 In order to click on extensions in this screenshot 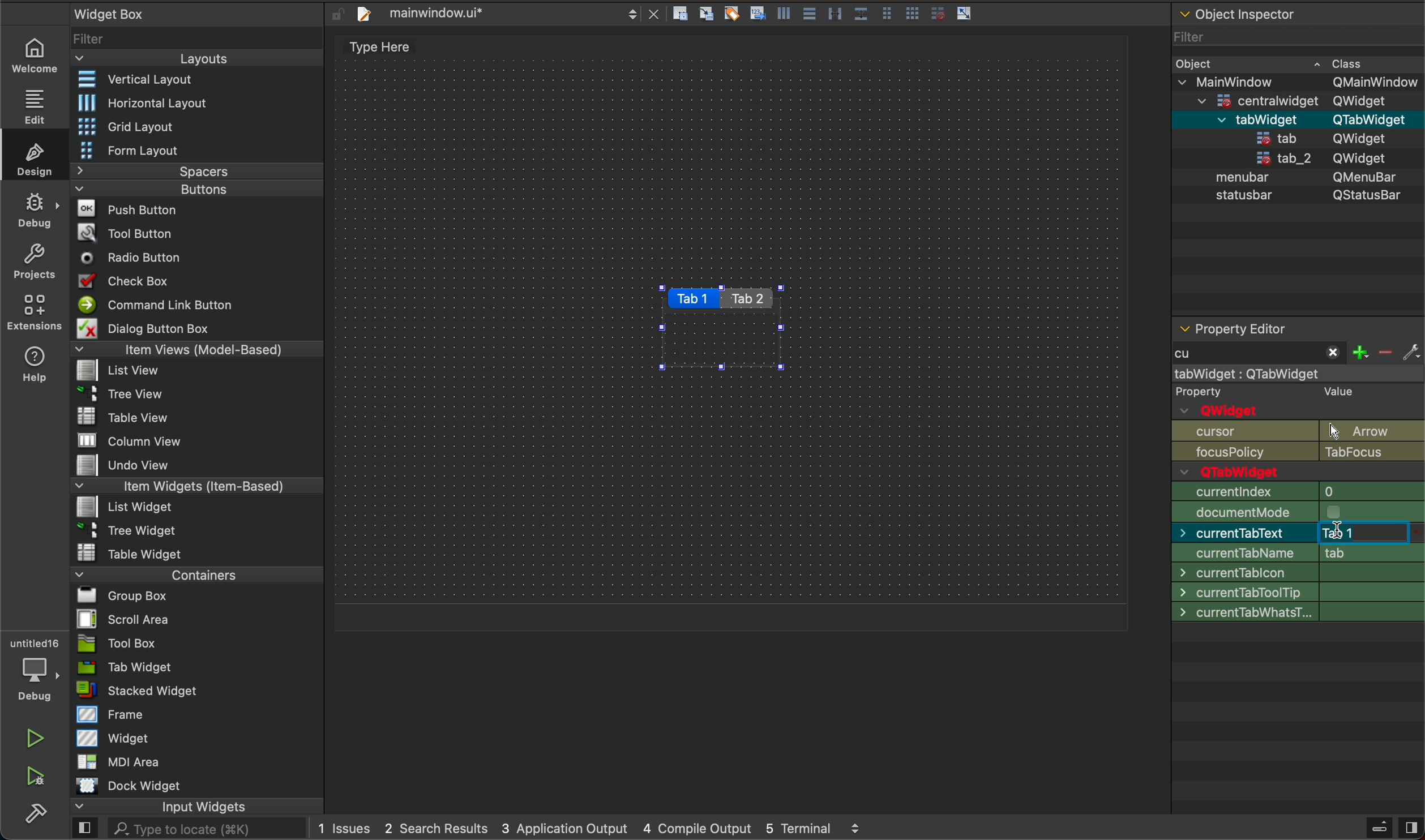, I will do `click(37, 310)`.